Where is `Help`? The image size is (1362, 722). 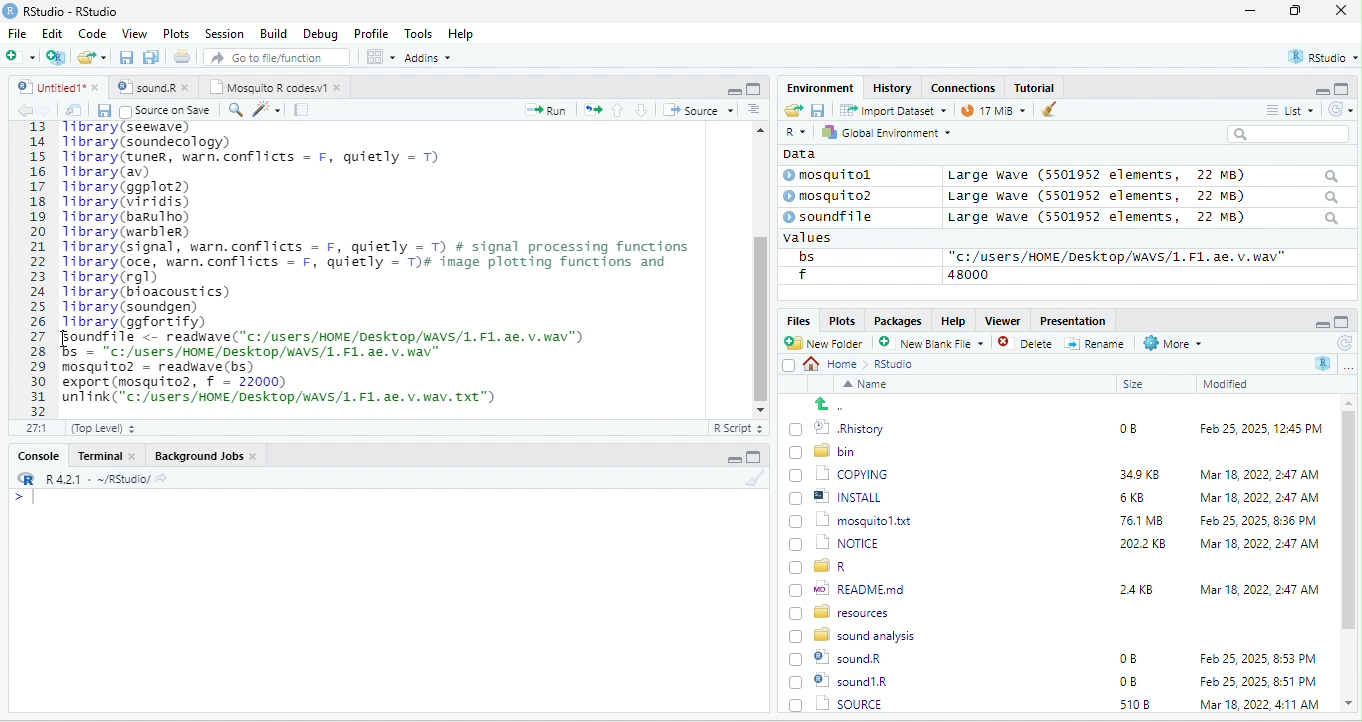
Help is located at coordinates (462, 35).